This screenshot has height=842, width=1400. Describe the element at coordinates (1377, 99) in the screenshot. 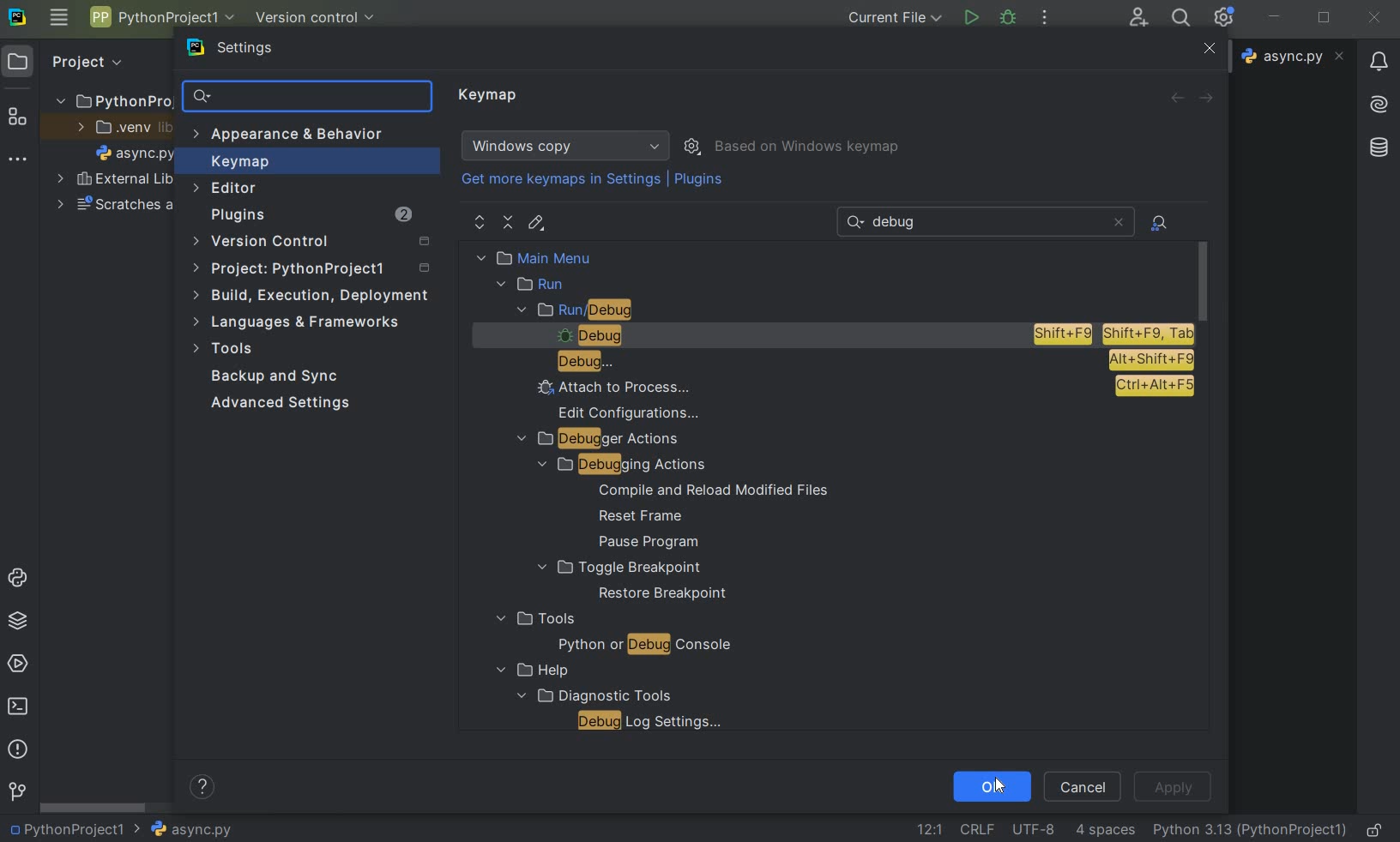

I see `AI asistant` at that location.